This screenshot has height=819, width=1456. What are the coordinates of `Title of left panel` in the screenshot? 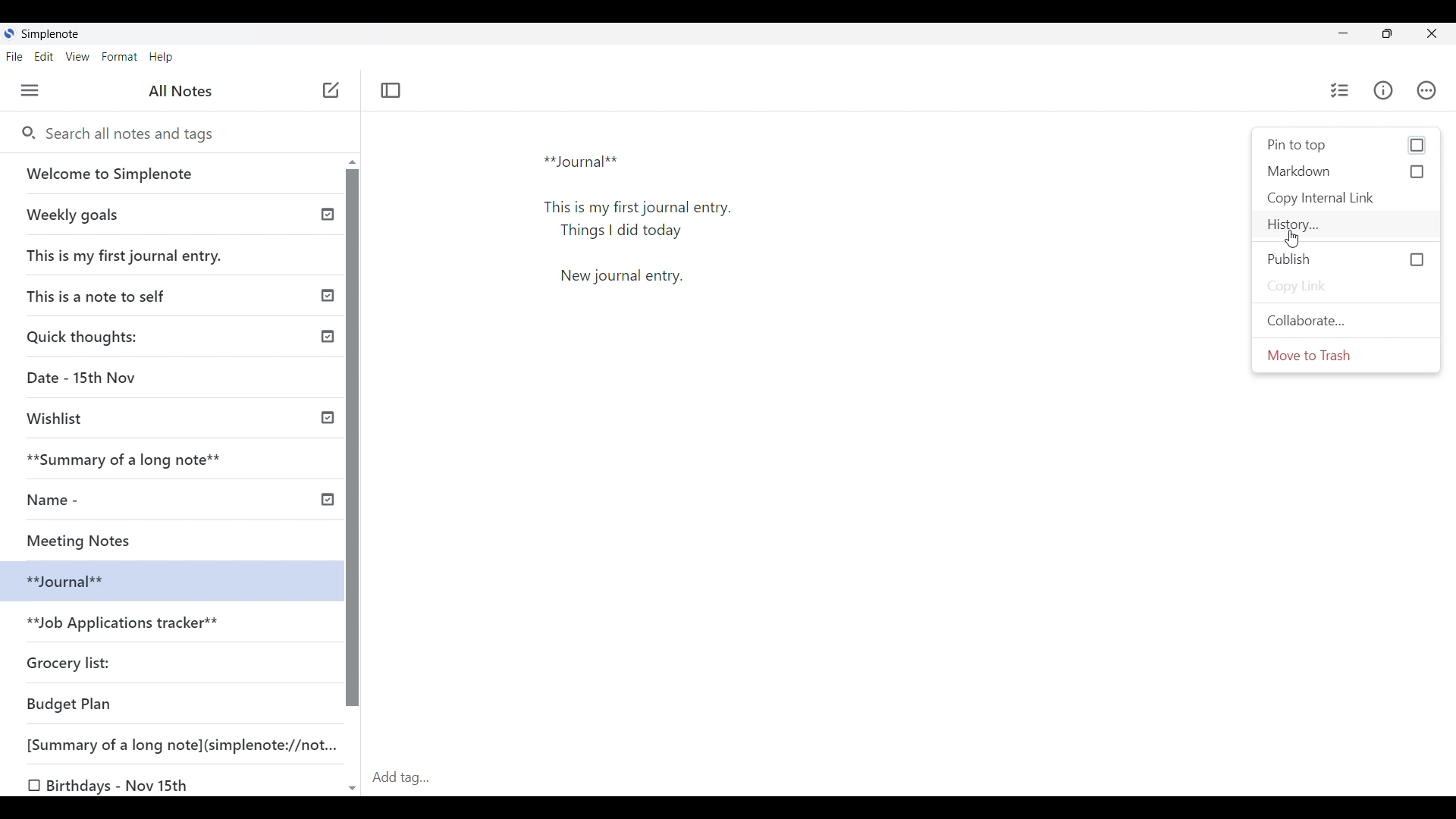 It's located at (180, 91).